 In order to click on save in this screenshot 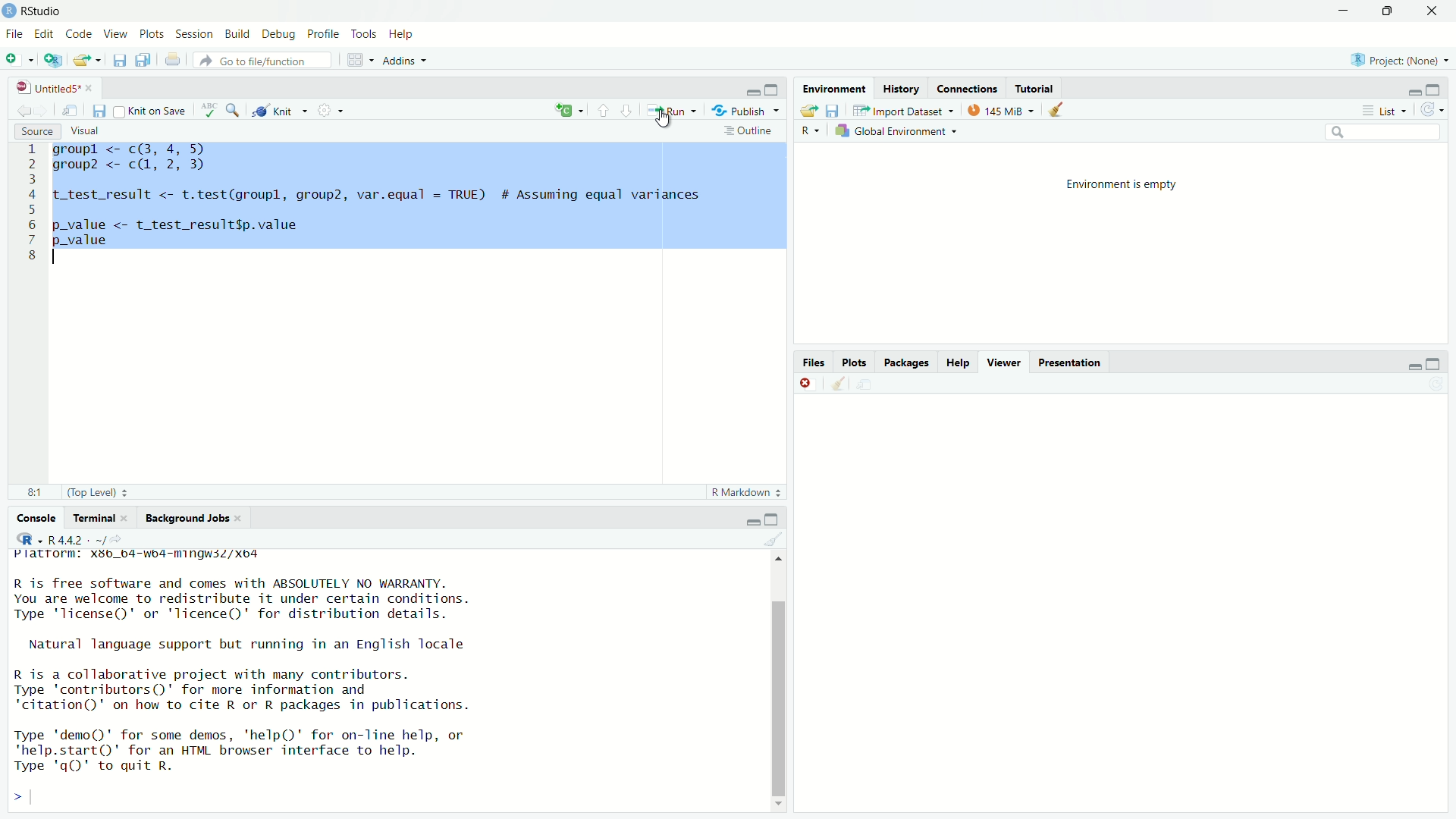, I will do `click(101, 111)`.